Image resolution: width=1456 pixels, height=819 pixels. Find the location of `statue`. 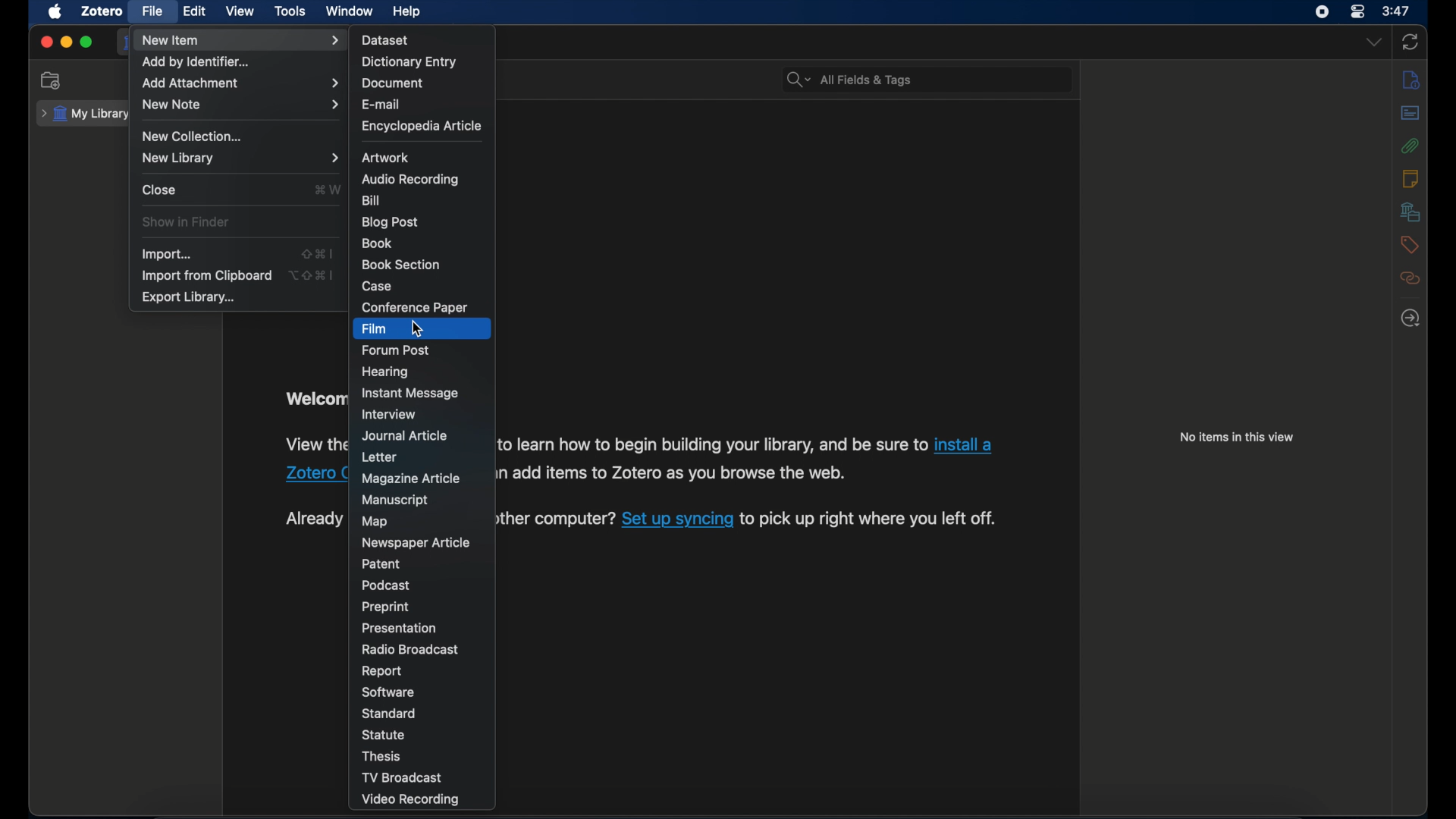

statue is located at coordinates (385, 734).